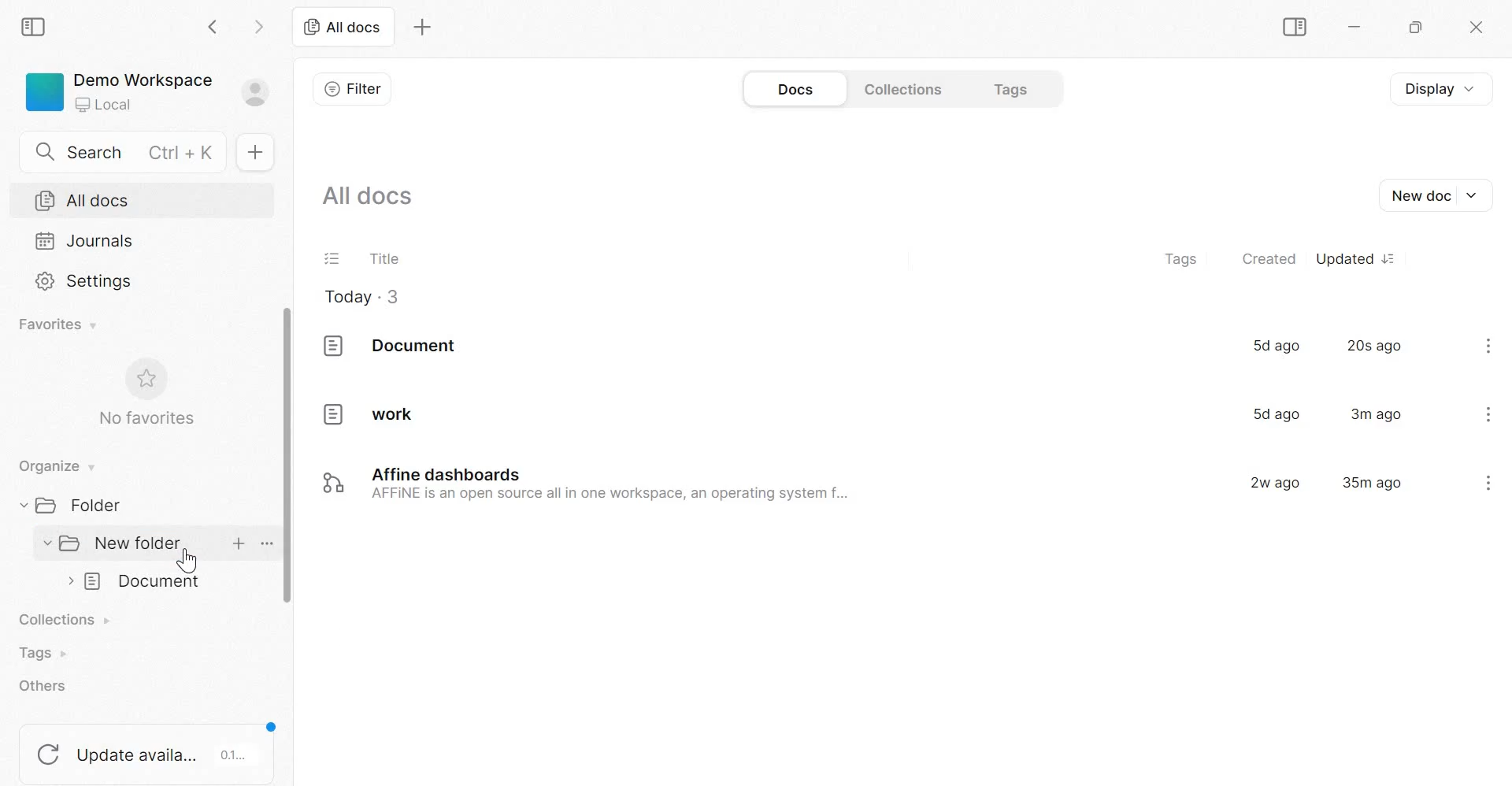 Image resolution: width=1512 pixels, height=786 pixels. I want to click on created, so click(1269, 259).